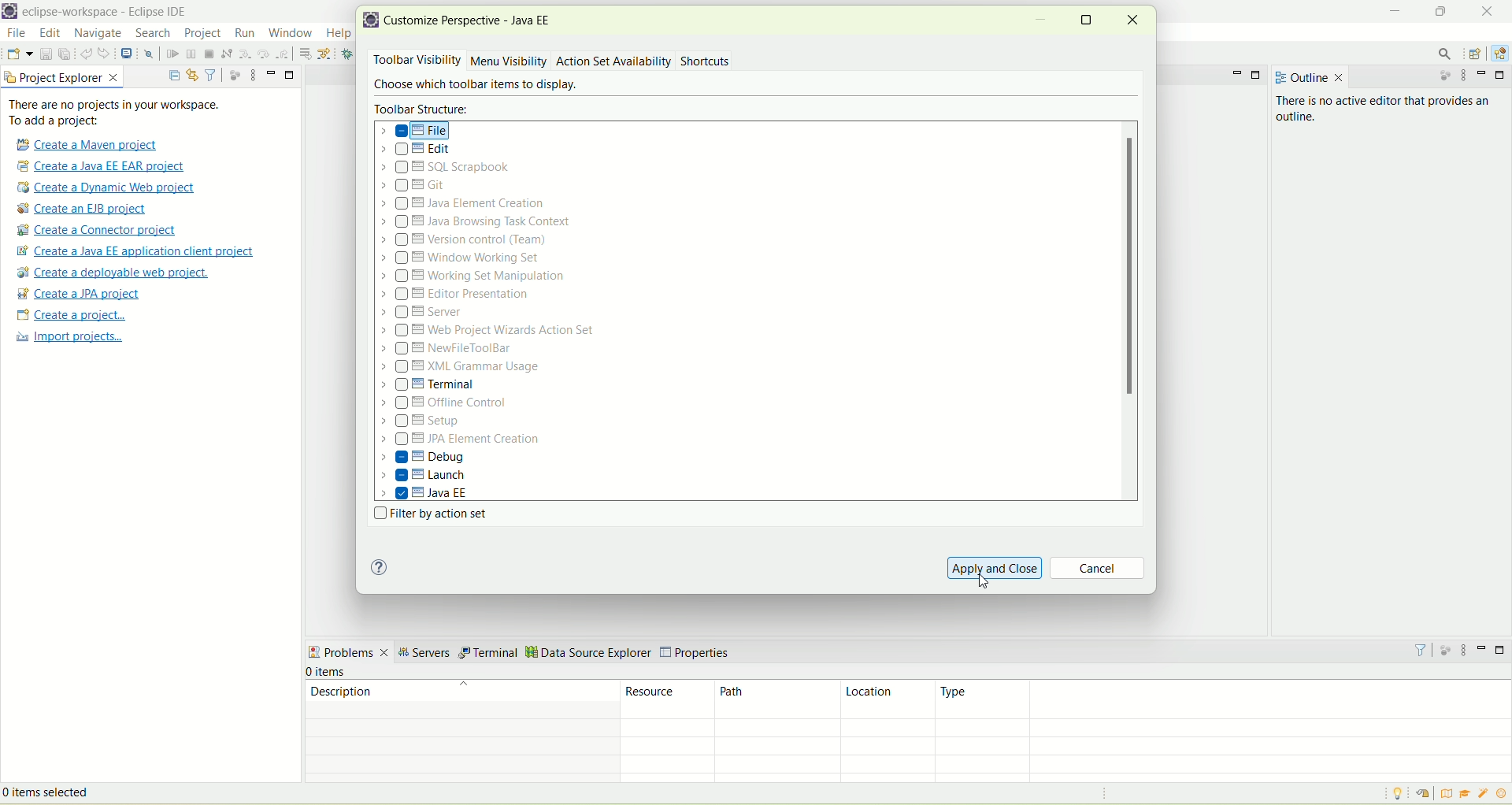 This screenshot has height=805, width=1512. What do you see at coordinates (124, 113) in the screenshot?
I see `text` at bounding box center [124, 113].